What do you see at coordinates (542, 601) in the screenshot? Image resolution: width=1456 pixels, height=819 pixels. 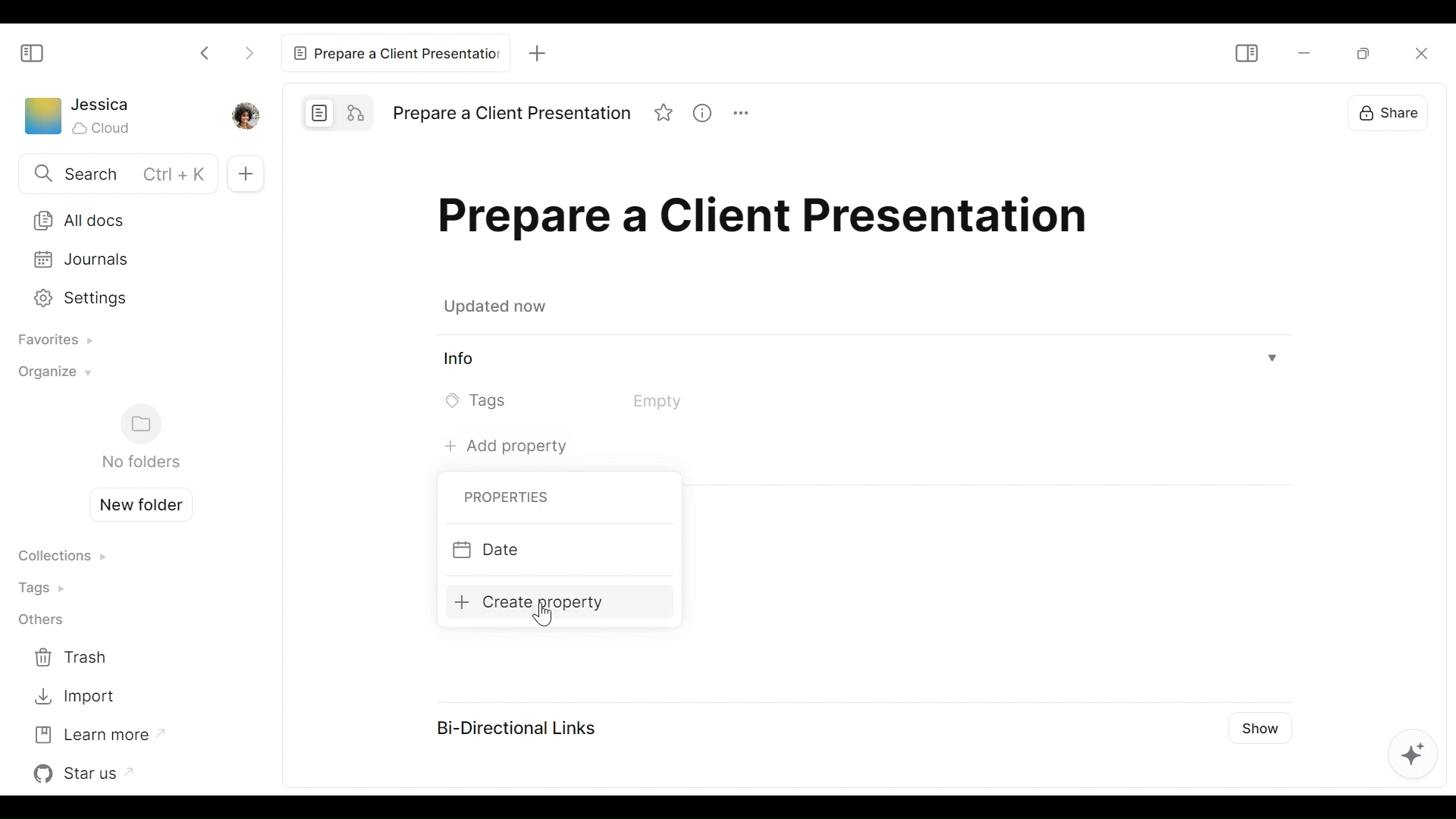 I see `Create Property` at bounding box center [542, 601].